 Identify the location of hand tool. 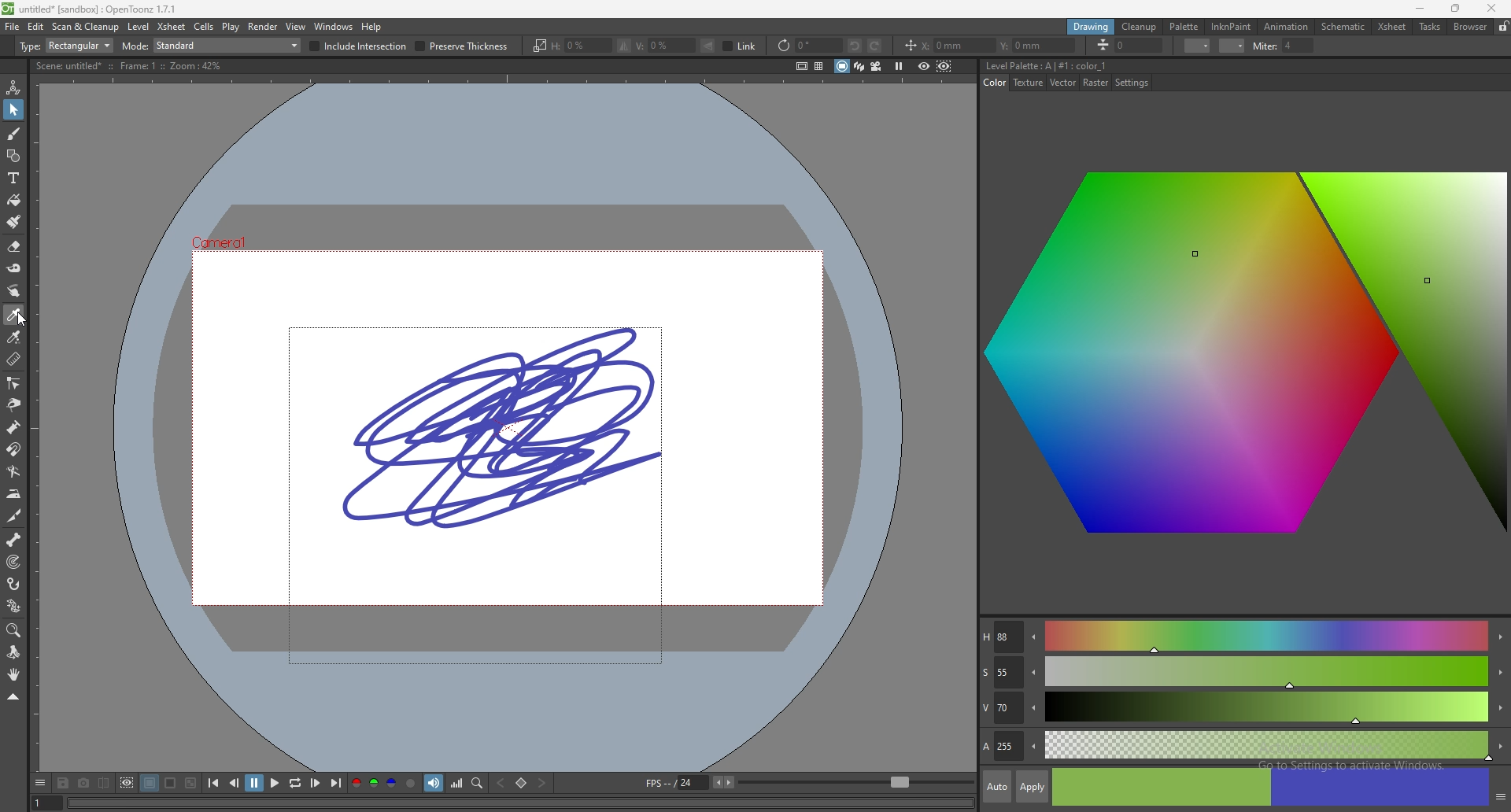
(13, 674).